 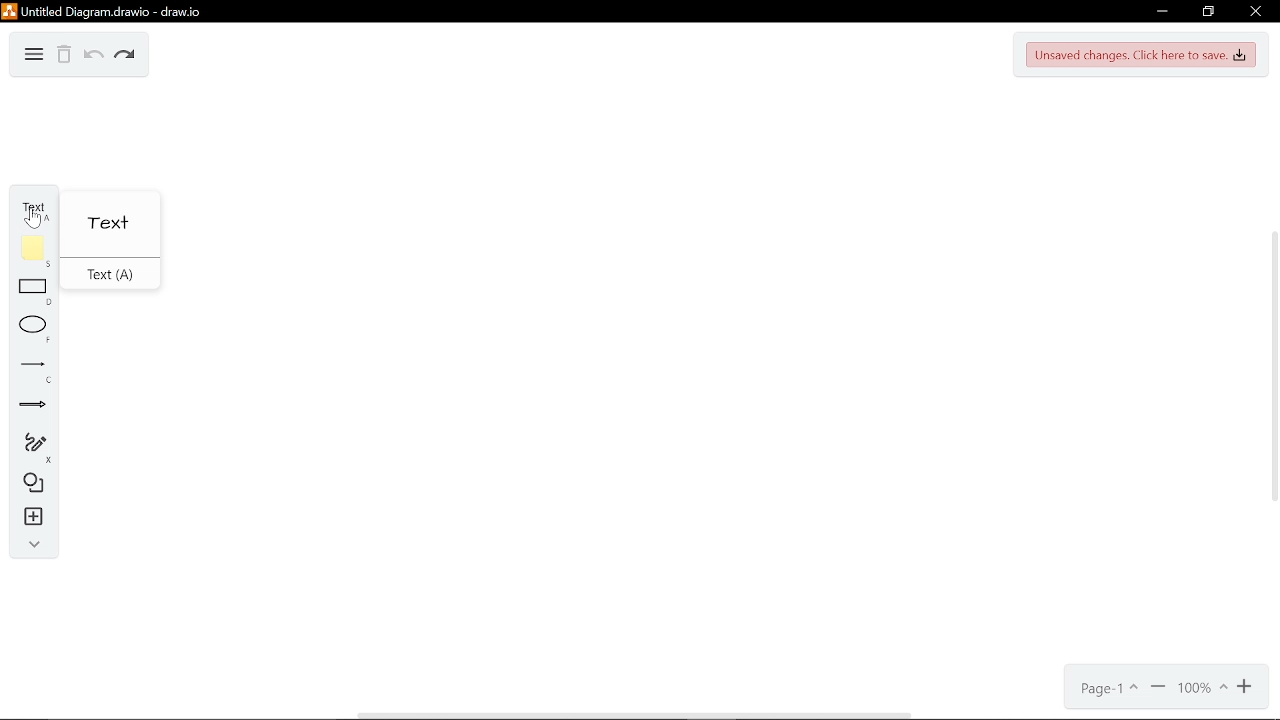 I want to click on Shapes, so click(x=27, y=486).